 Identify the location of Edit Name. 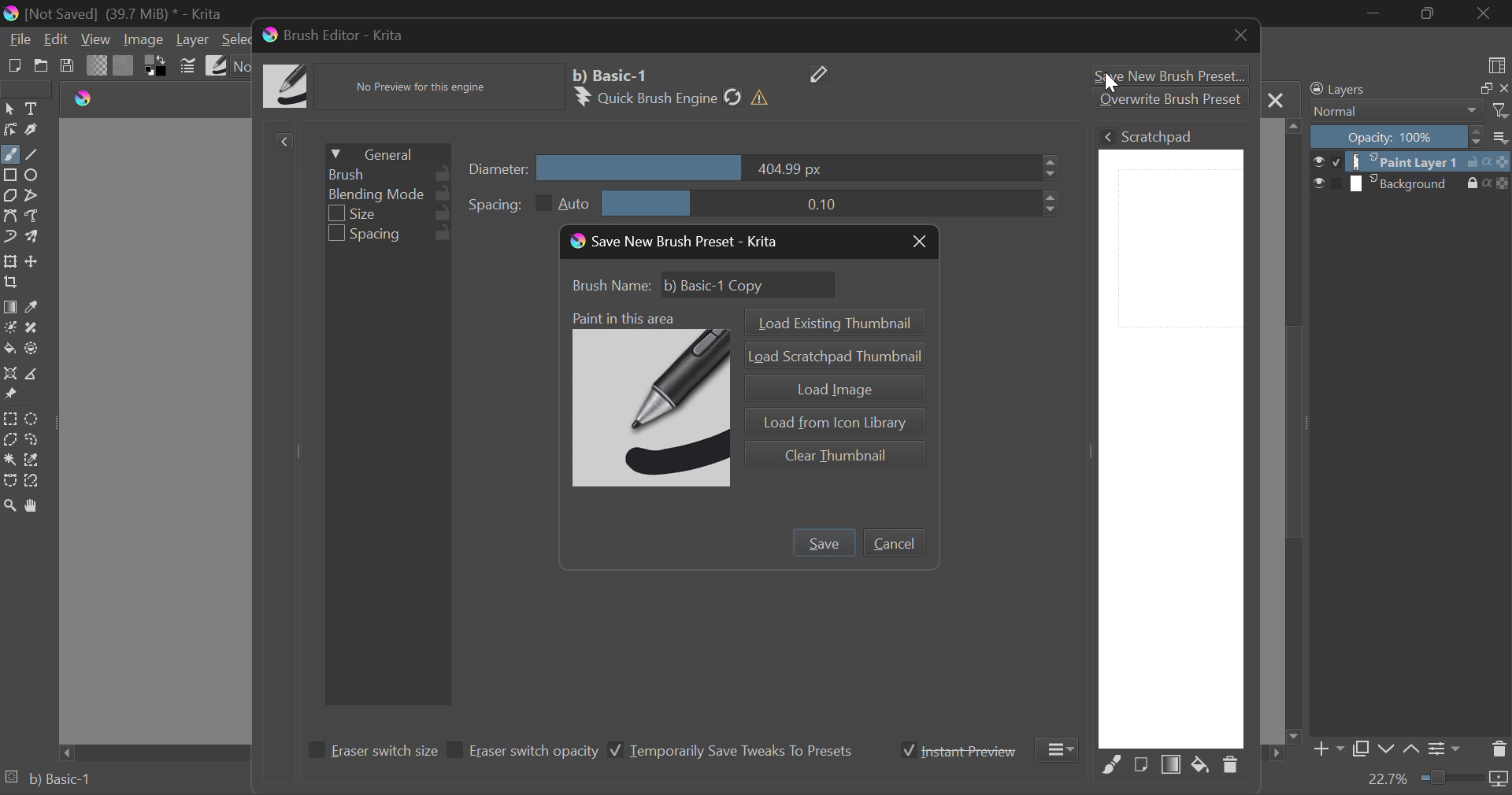
(821, 73).